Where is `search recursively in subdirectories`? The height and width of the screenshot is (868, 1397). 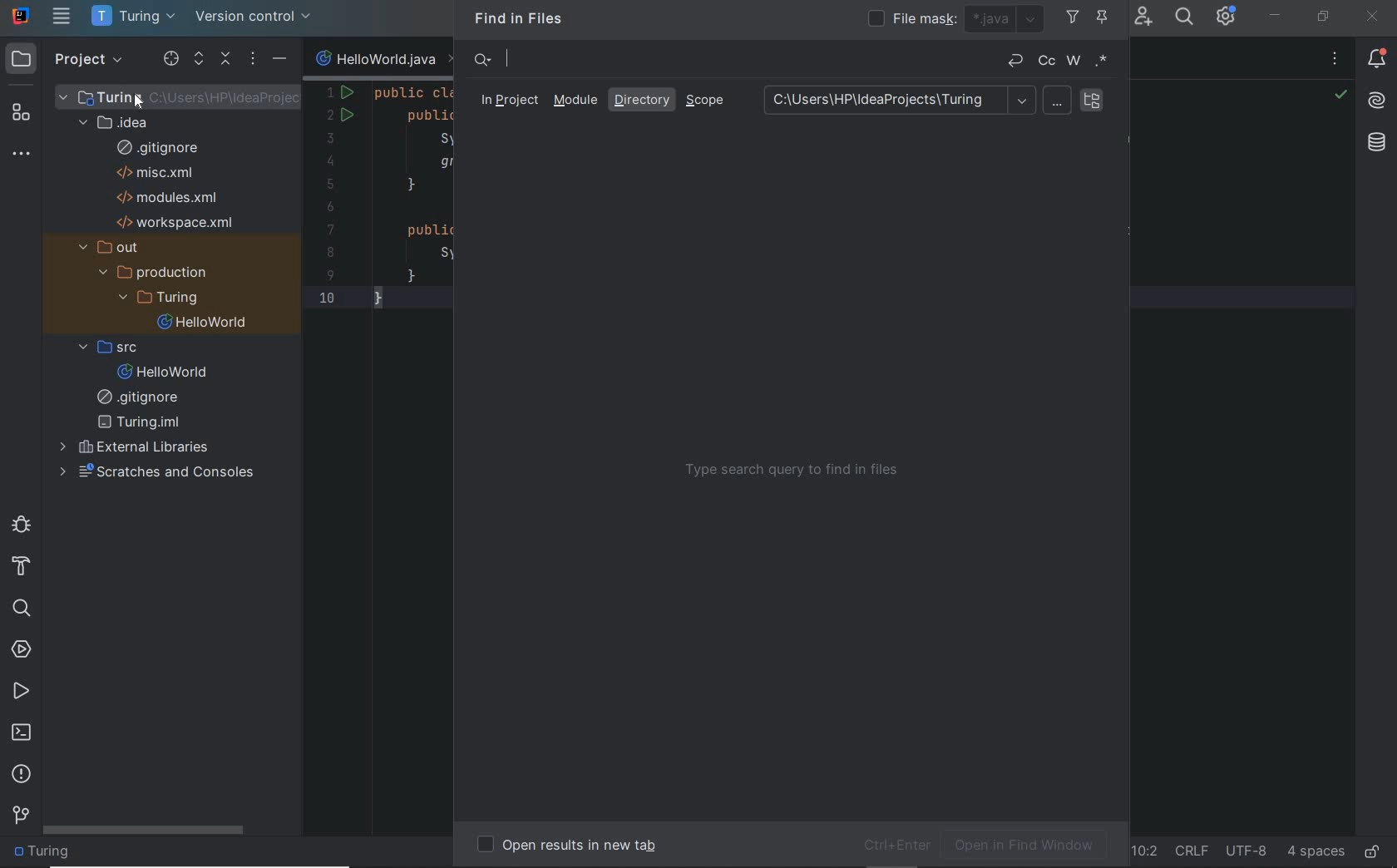
search recursively in subdirectories is located at coordinates (1095, 101).